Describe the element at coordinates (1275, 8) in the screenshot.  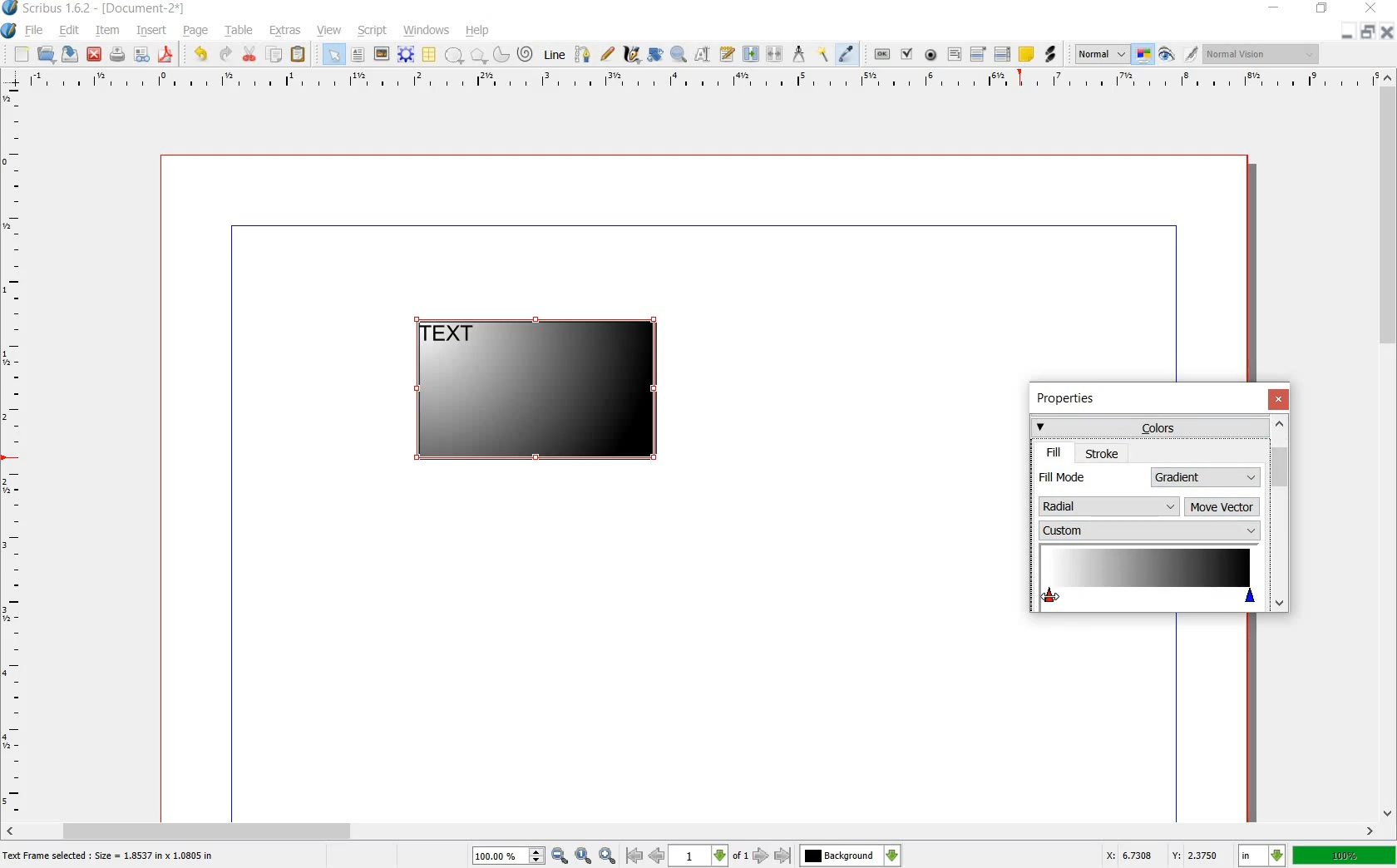
I see `minimize` at that location.